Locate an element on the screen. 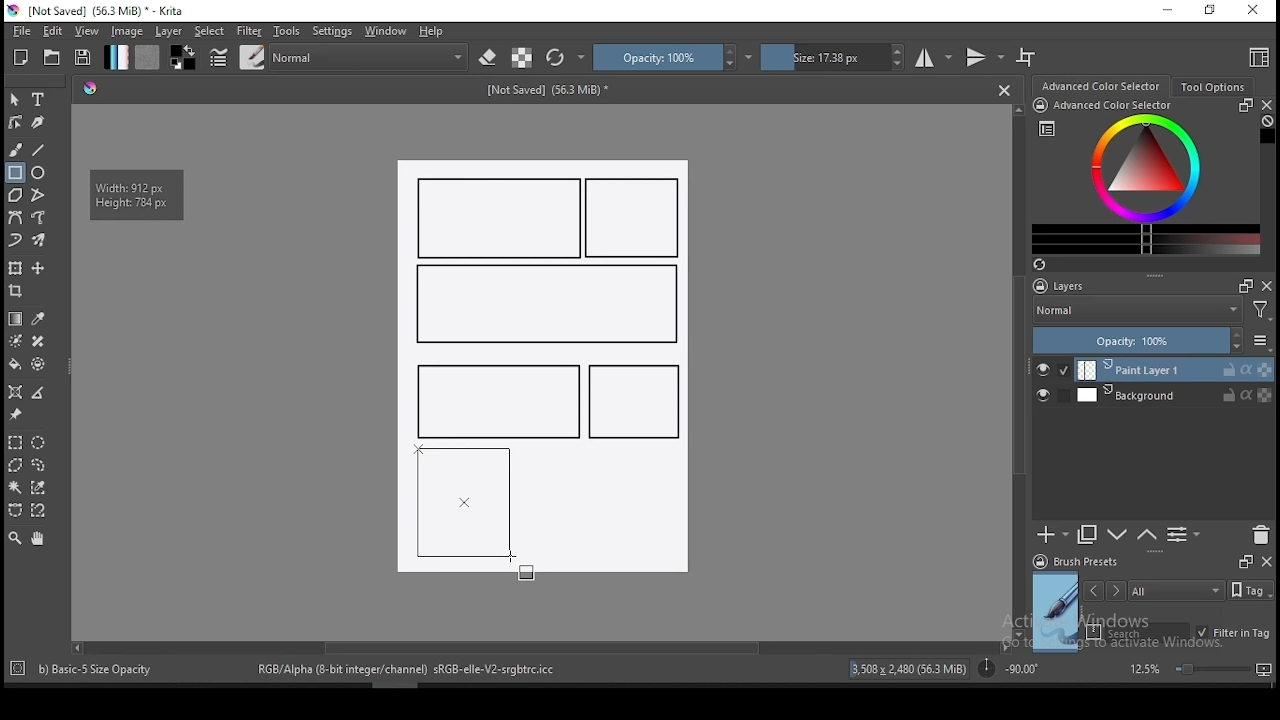  text tool is located at coordinates (39, 100).